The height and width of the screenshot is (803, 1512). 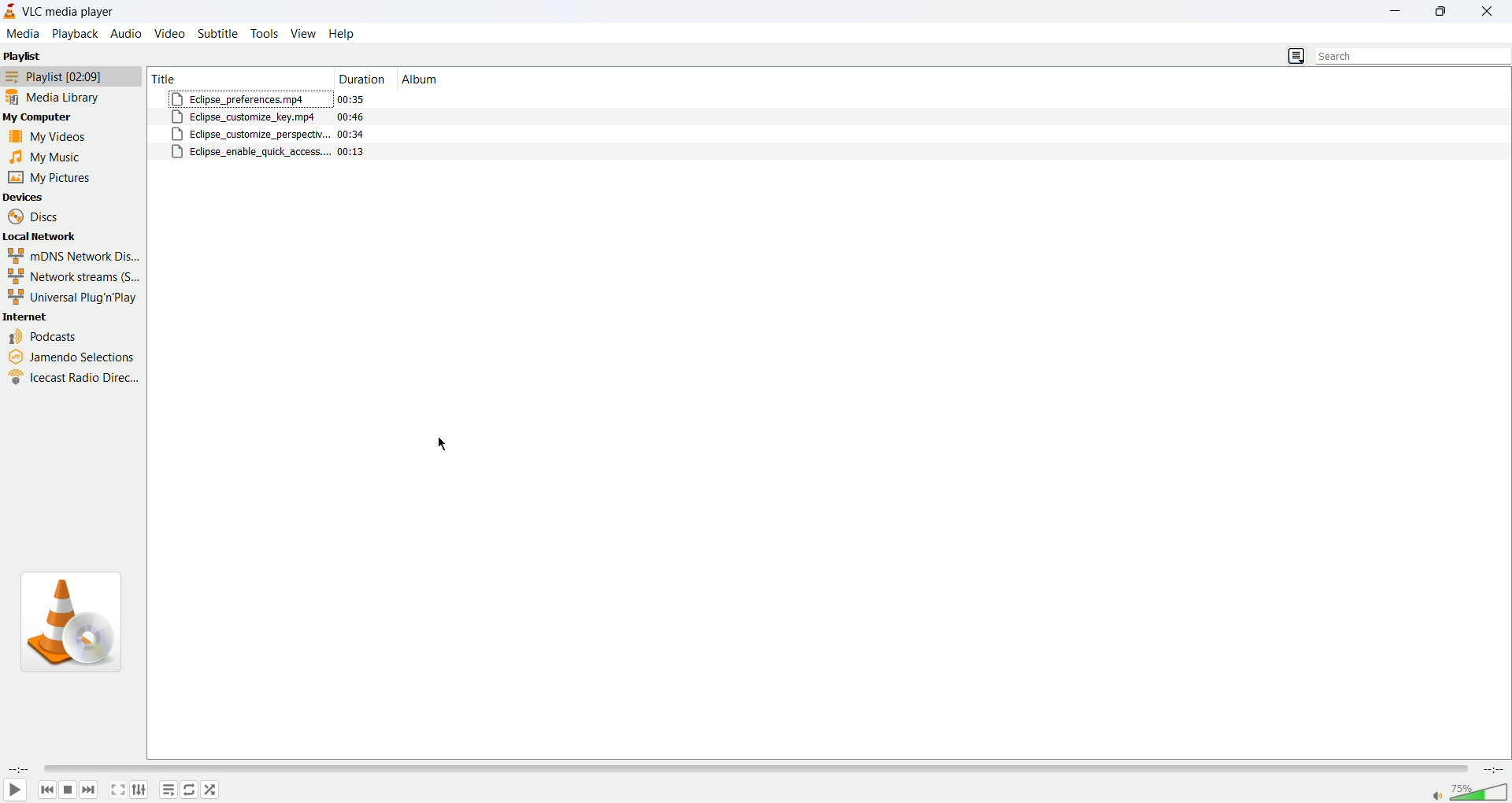 I want to click on audio, so click(x=127, y=35).